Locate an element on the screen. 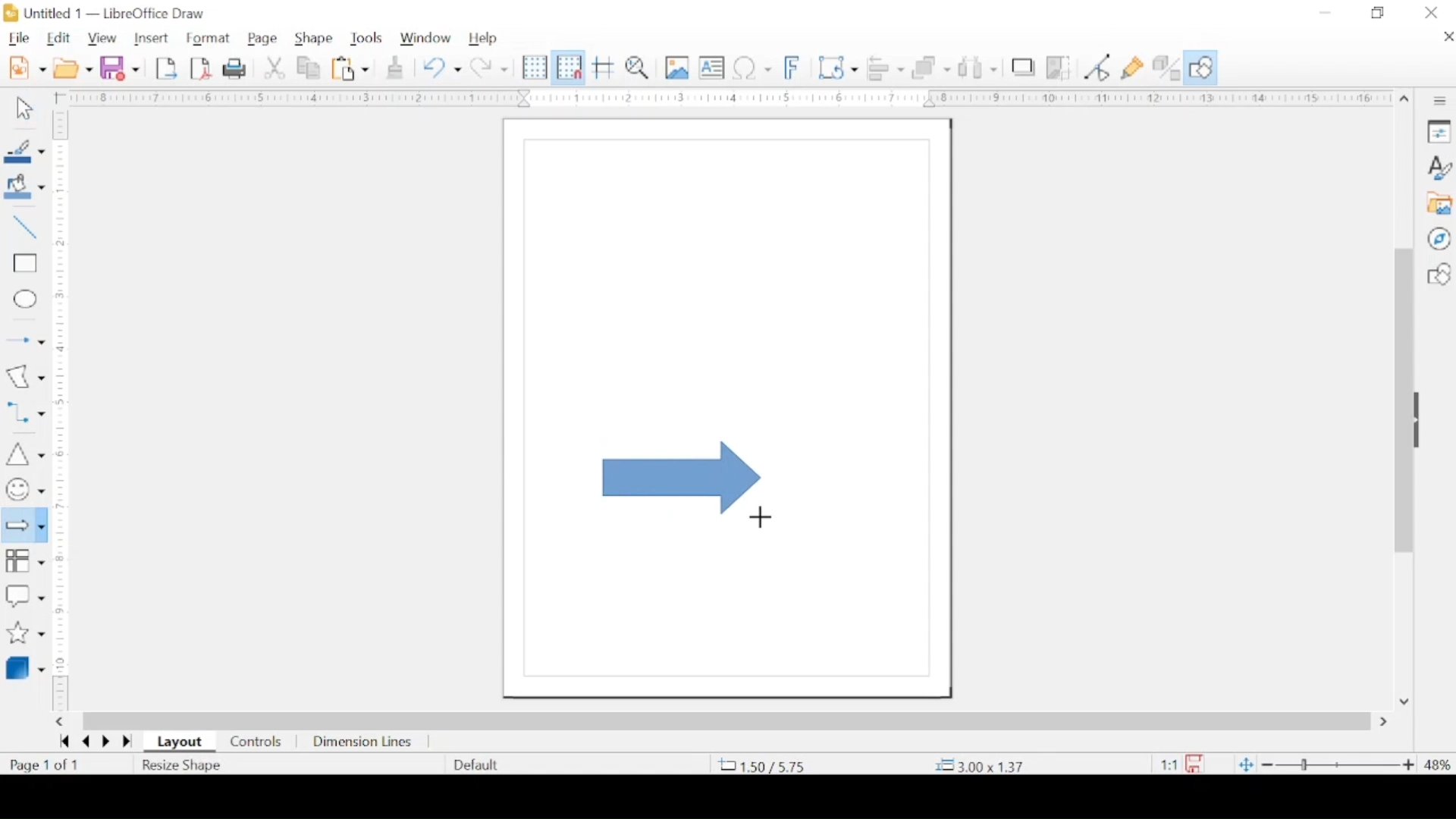  flowchart is located at coordinates (25, 563).